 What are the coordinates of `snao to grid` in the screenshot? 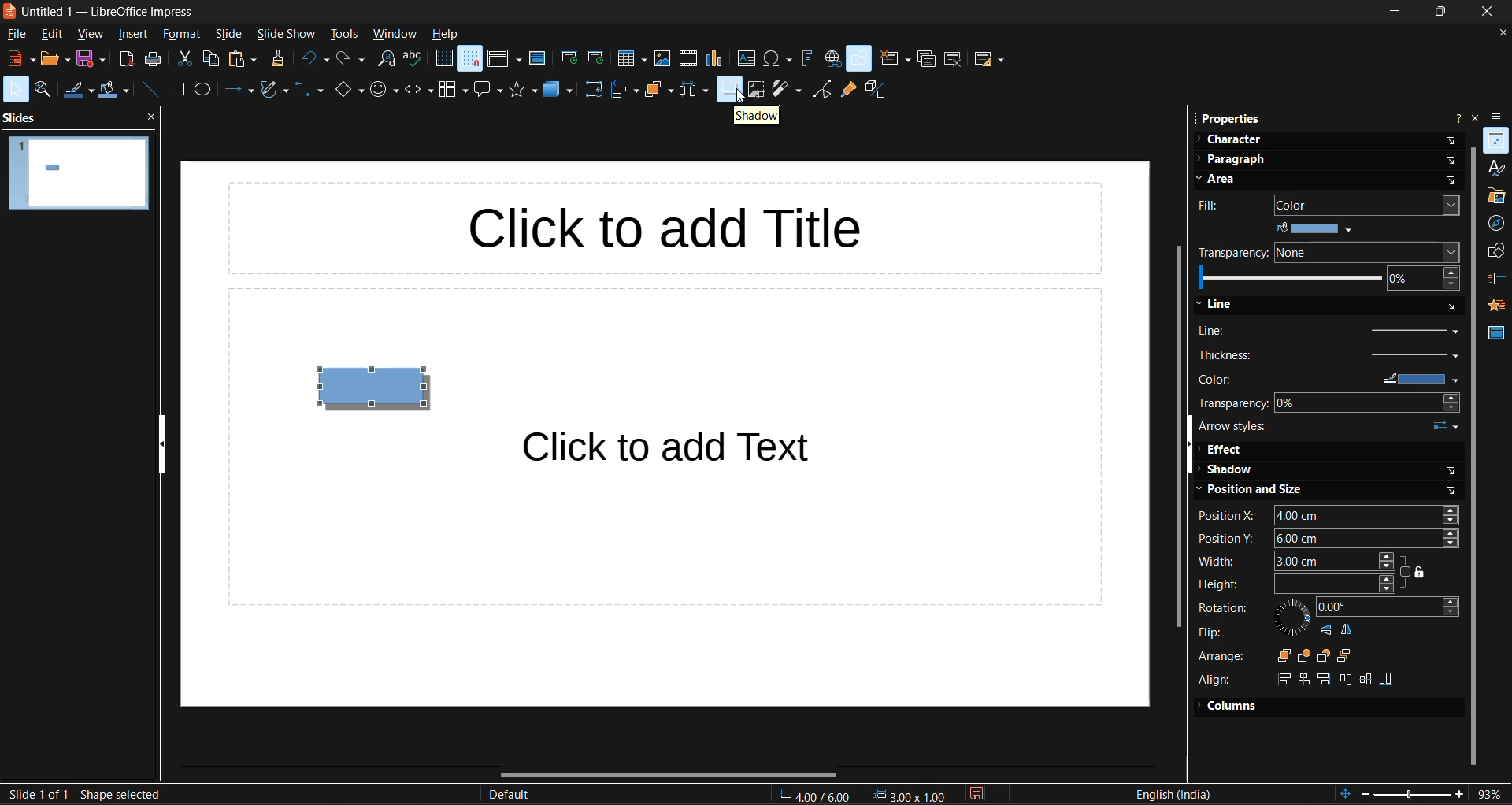 It's located at (469, 59).